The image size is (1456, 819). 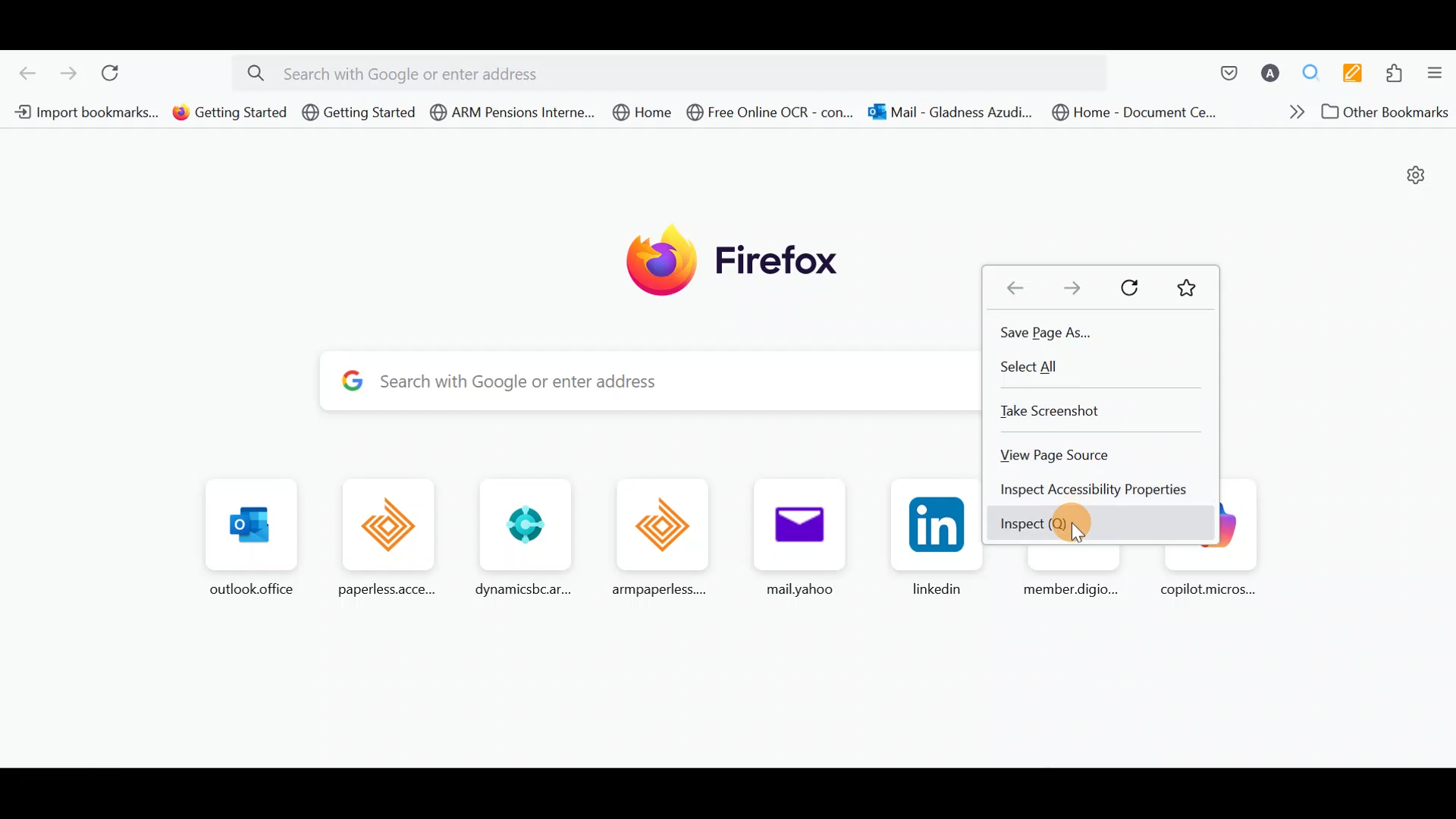 What do you see at coordinates (772, 114) in the screenshot?
I see `Bookmark 6` at bounding box center [772, 114].